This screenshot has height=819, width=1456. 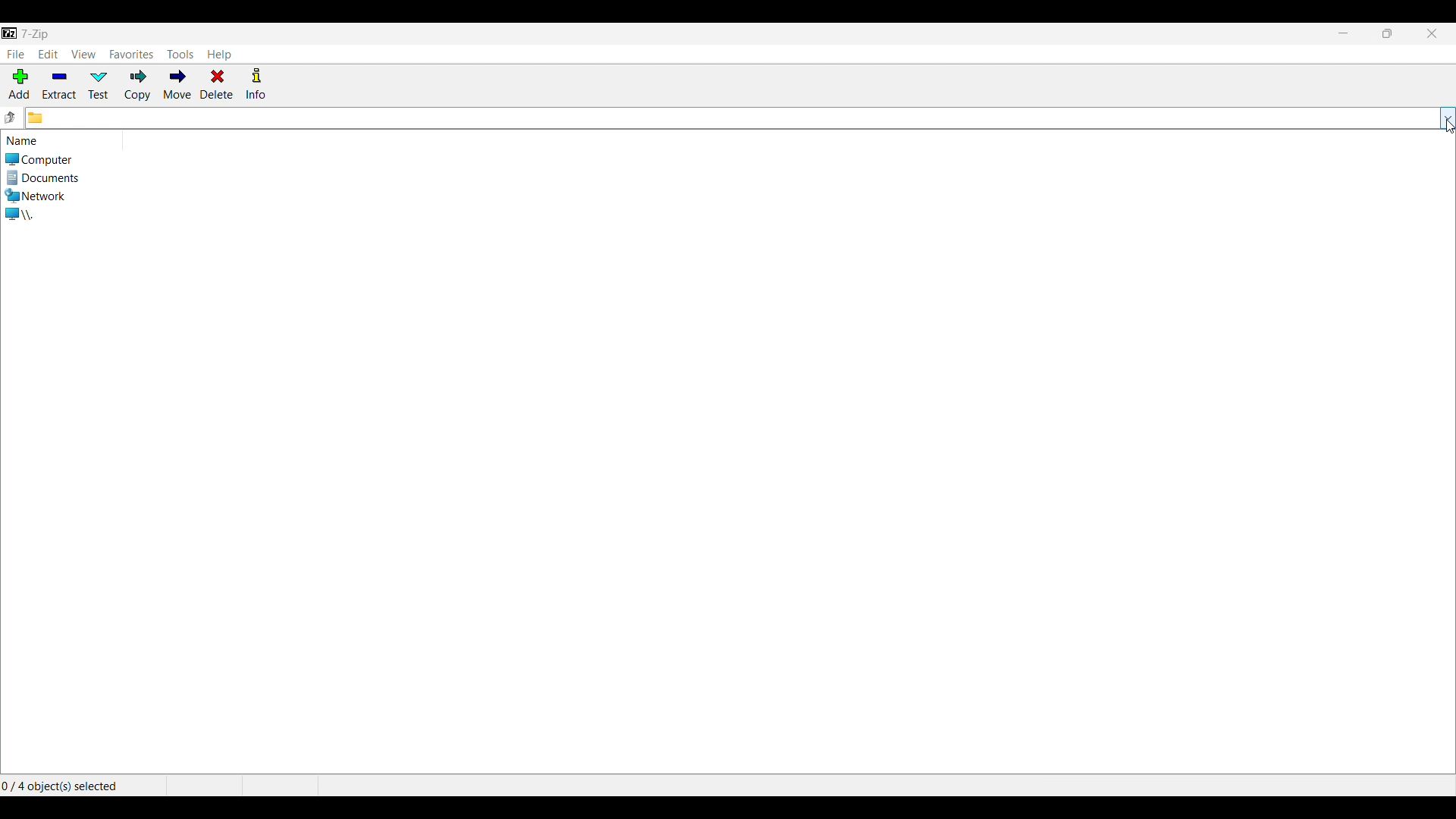 What do you see at coordinates (63, 785) in the screenshot?
I see `Selected items out of the total number of items ` at bounding box center [63, 785].